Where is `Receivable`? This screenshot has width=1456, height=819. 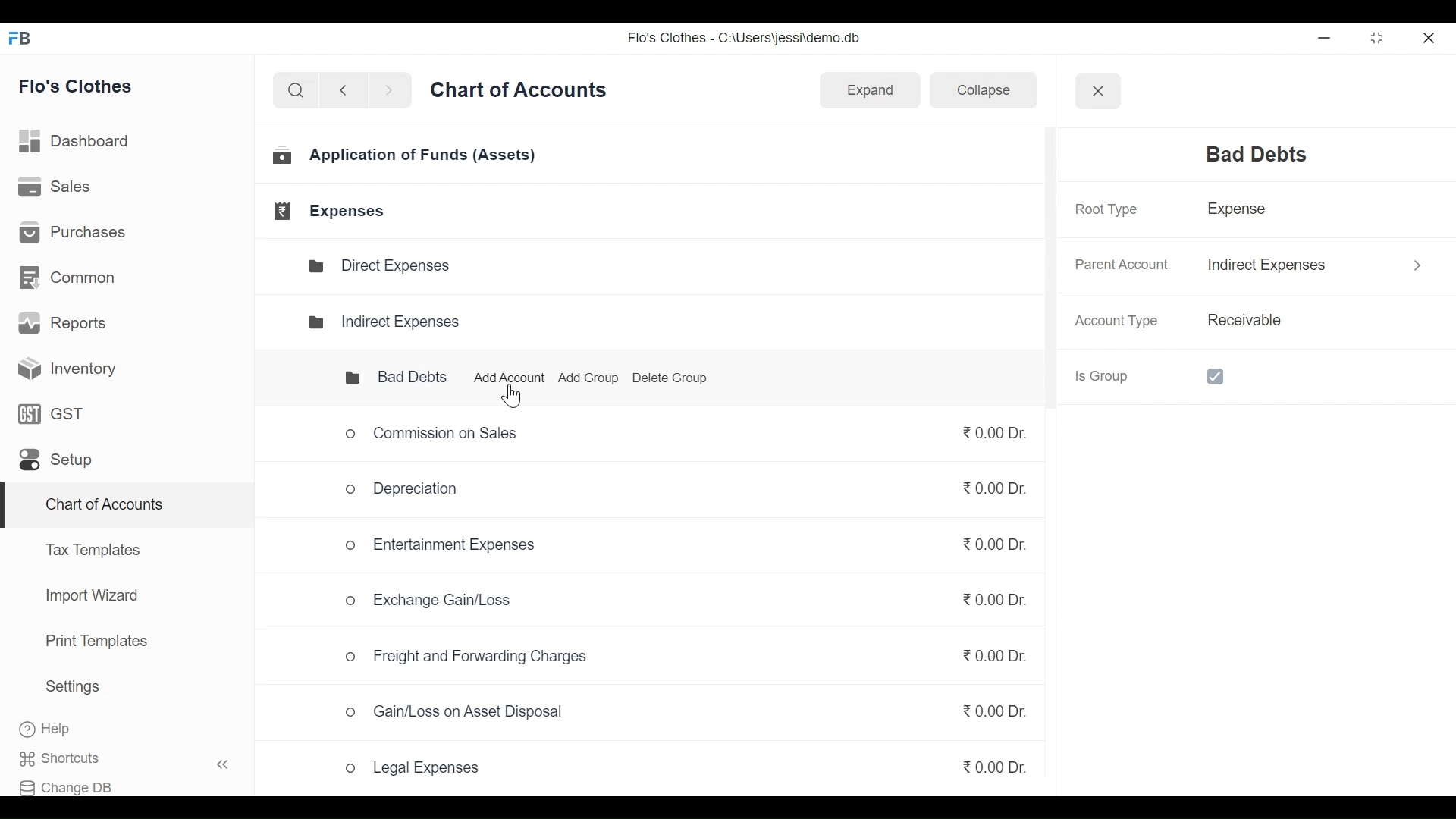
Receivable is located at coordinates (1242, 321).